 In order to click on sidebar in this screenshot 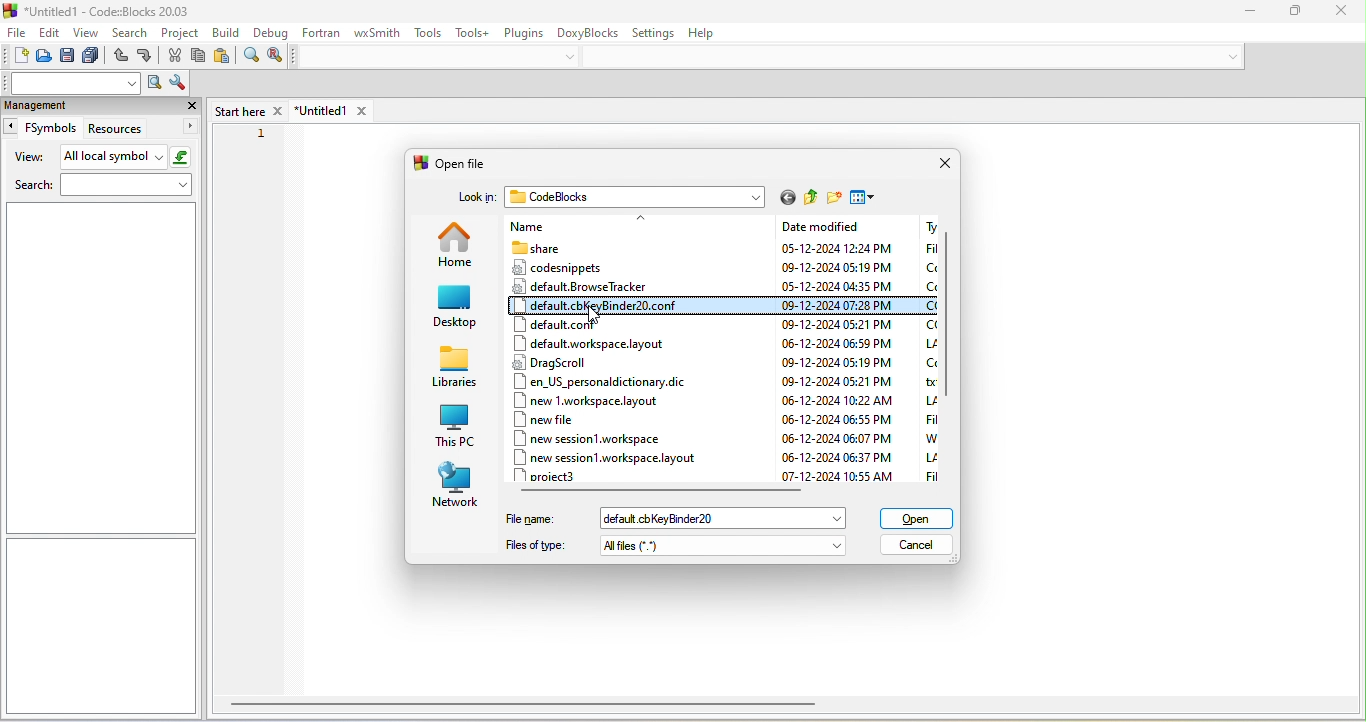, I will do `click(102, 625)`.